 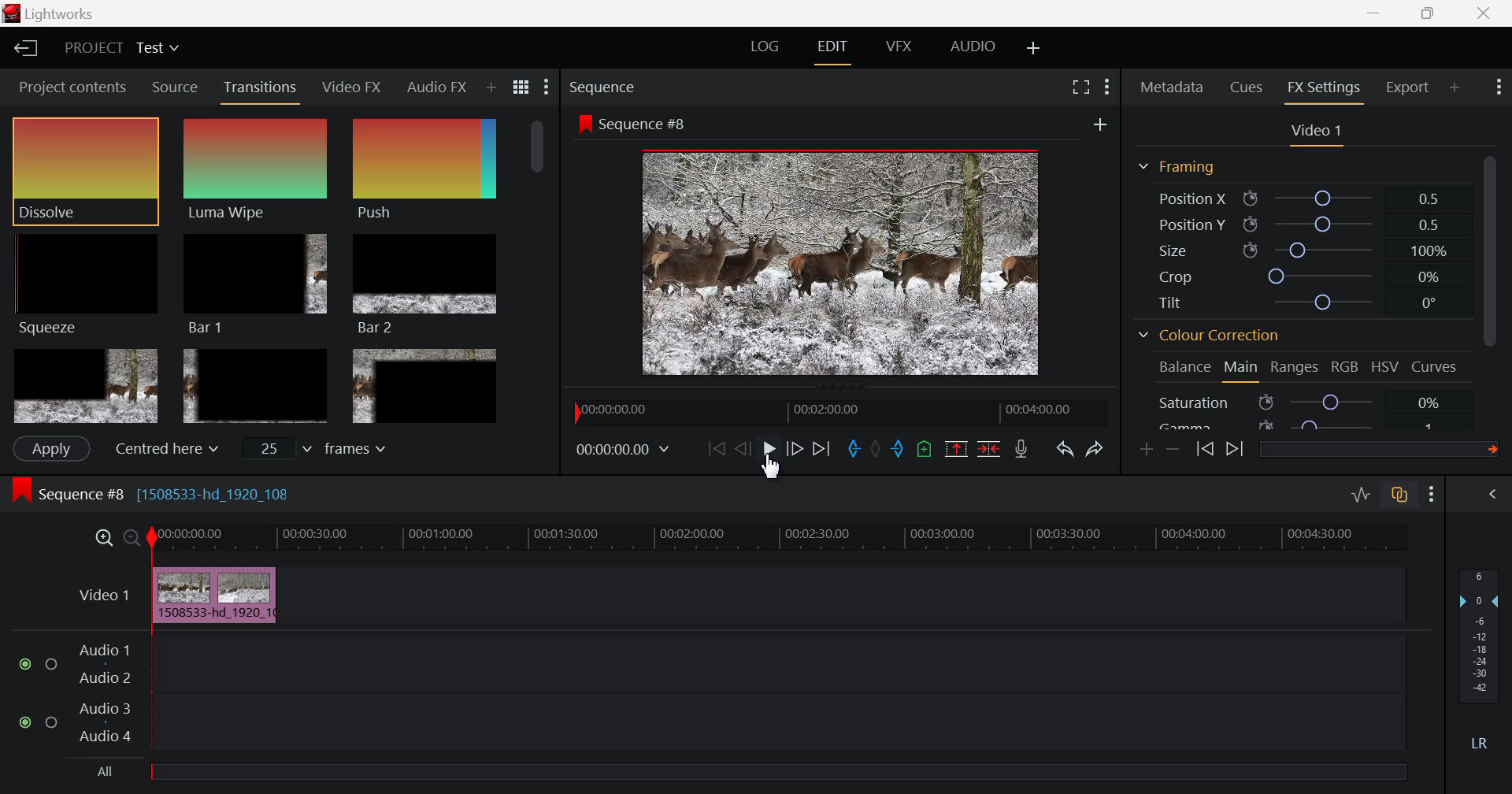 What do you see at coordinates (974, 46) in the screenshot?
I see `AUDIO` at bounding box center [974, 46].